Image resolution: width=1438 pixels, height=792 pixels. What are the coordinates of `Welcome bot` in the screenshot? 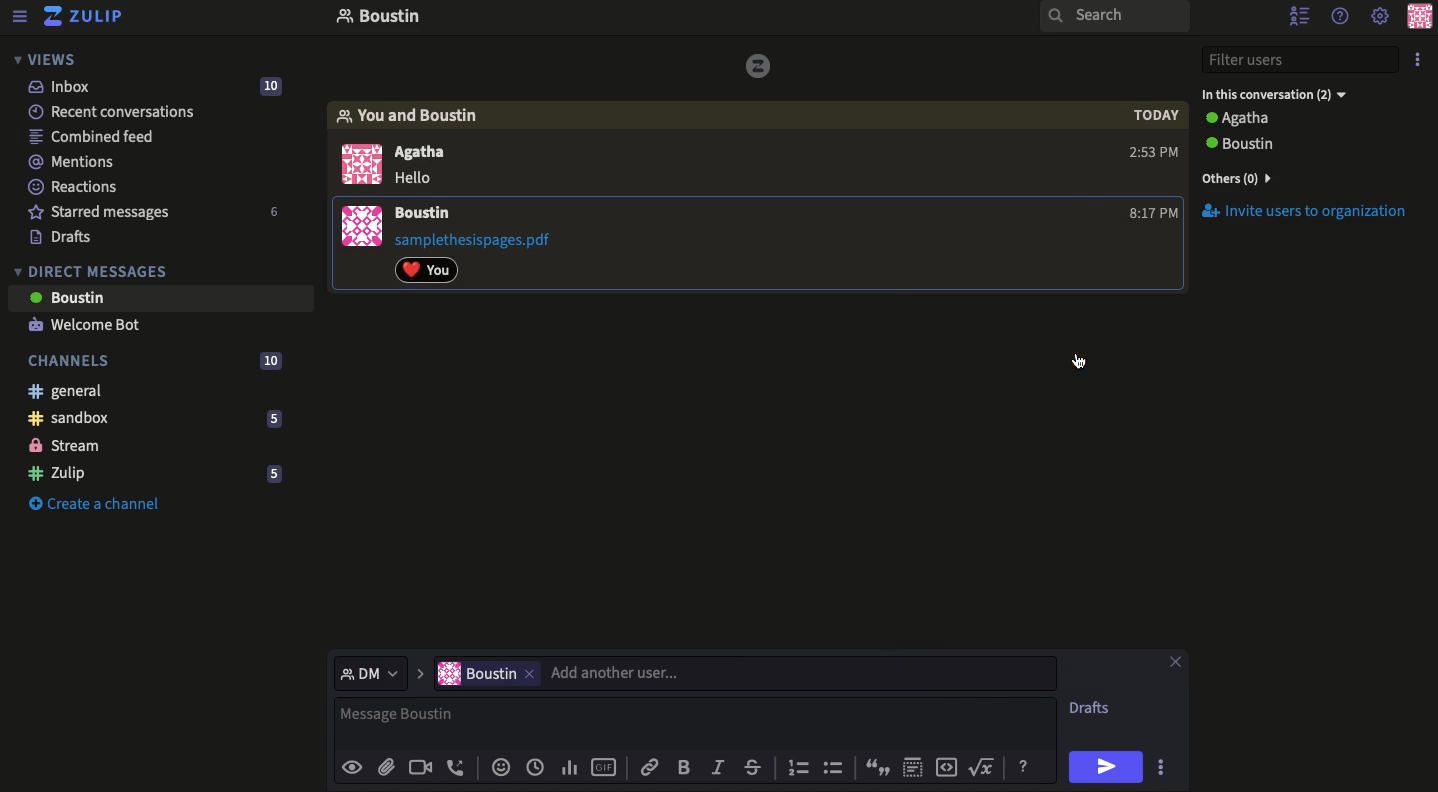 It's located at (90, 326).